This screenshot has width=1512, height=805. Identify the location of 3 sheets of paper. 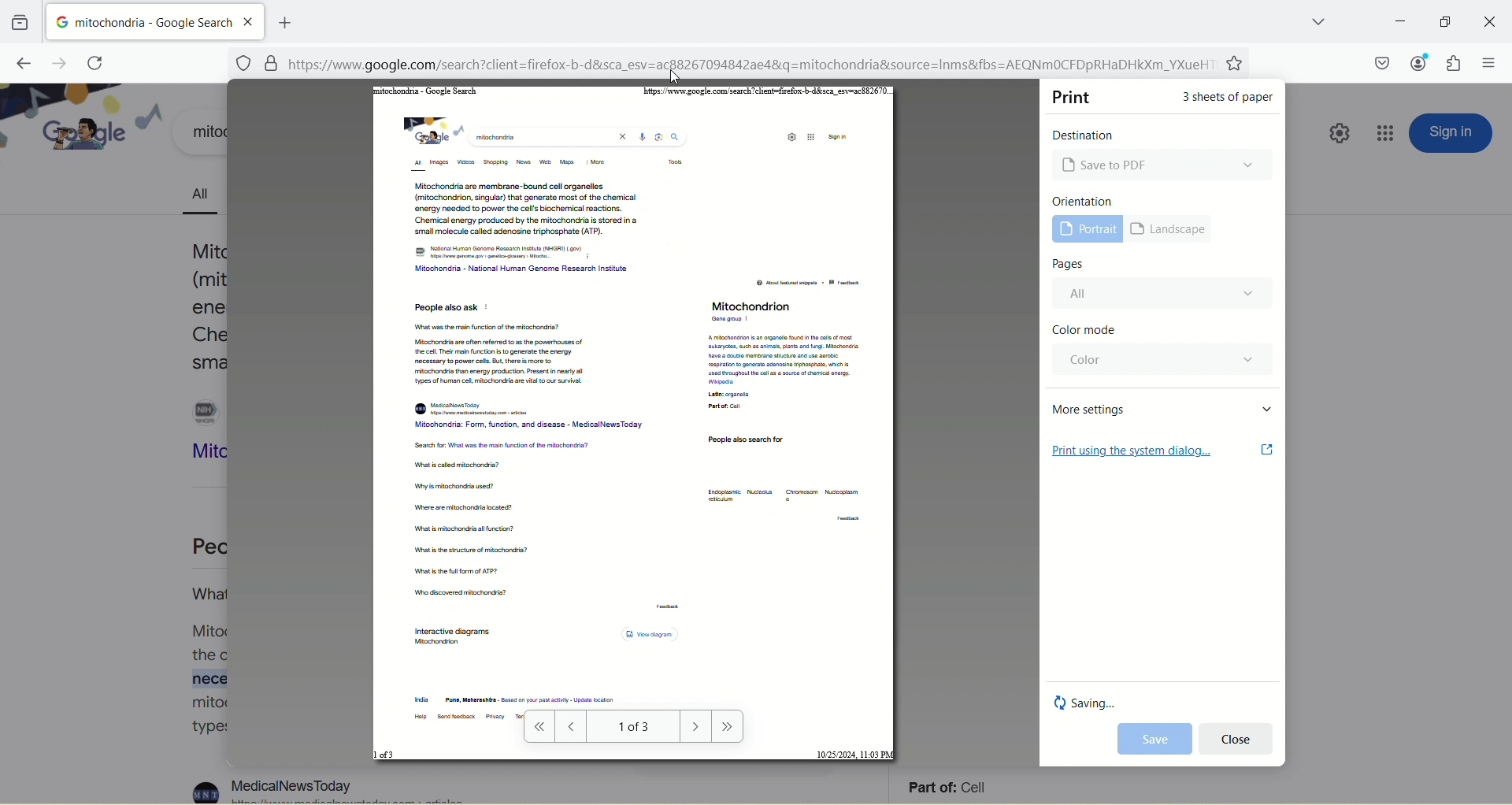
(1229, 101).